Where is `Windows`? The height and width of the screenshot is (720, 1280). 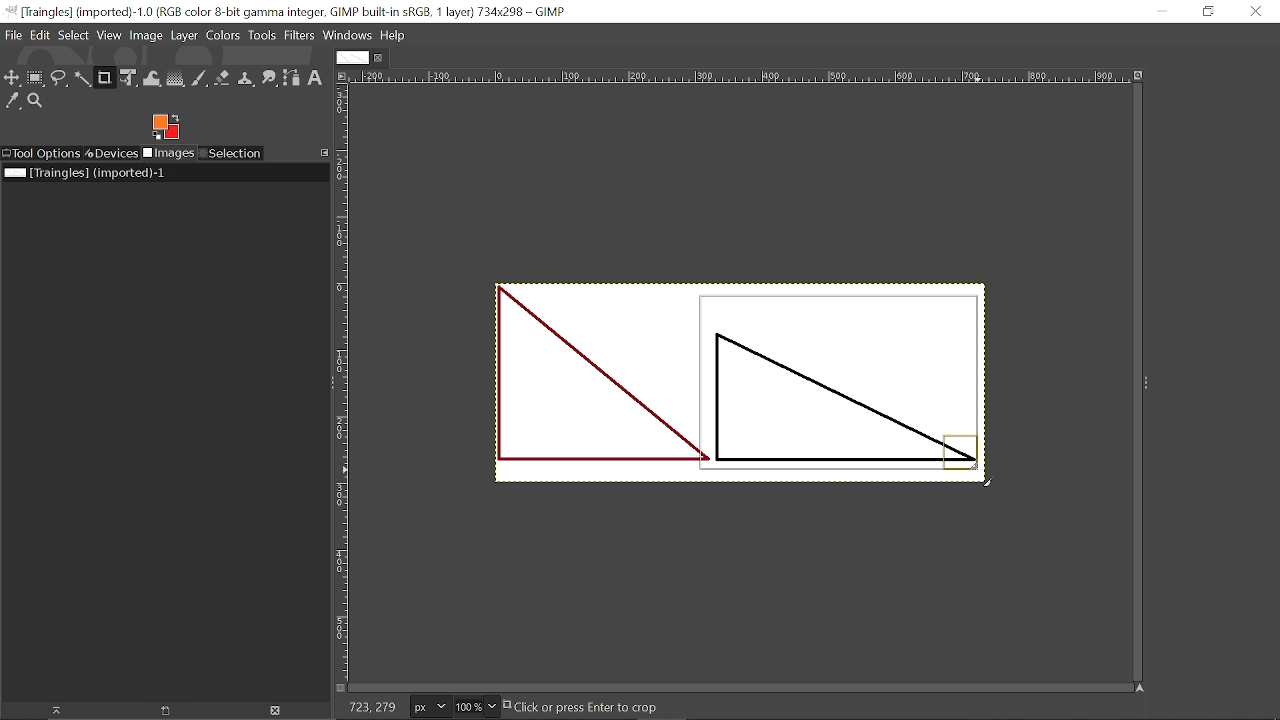
Windows is located at coordinates (347, 36).